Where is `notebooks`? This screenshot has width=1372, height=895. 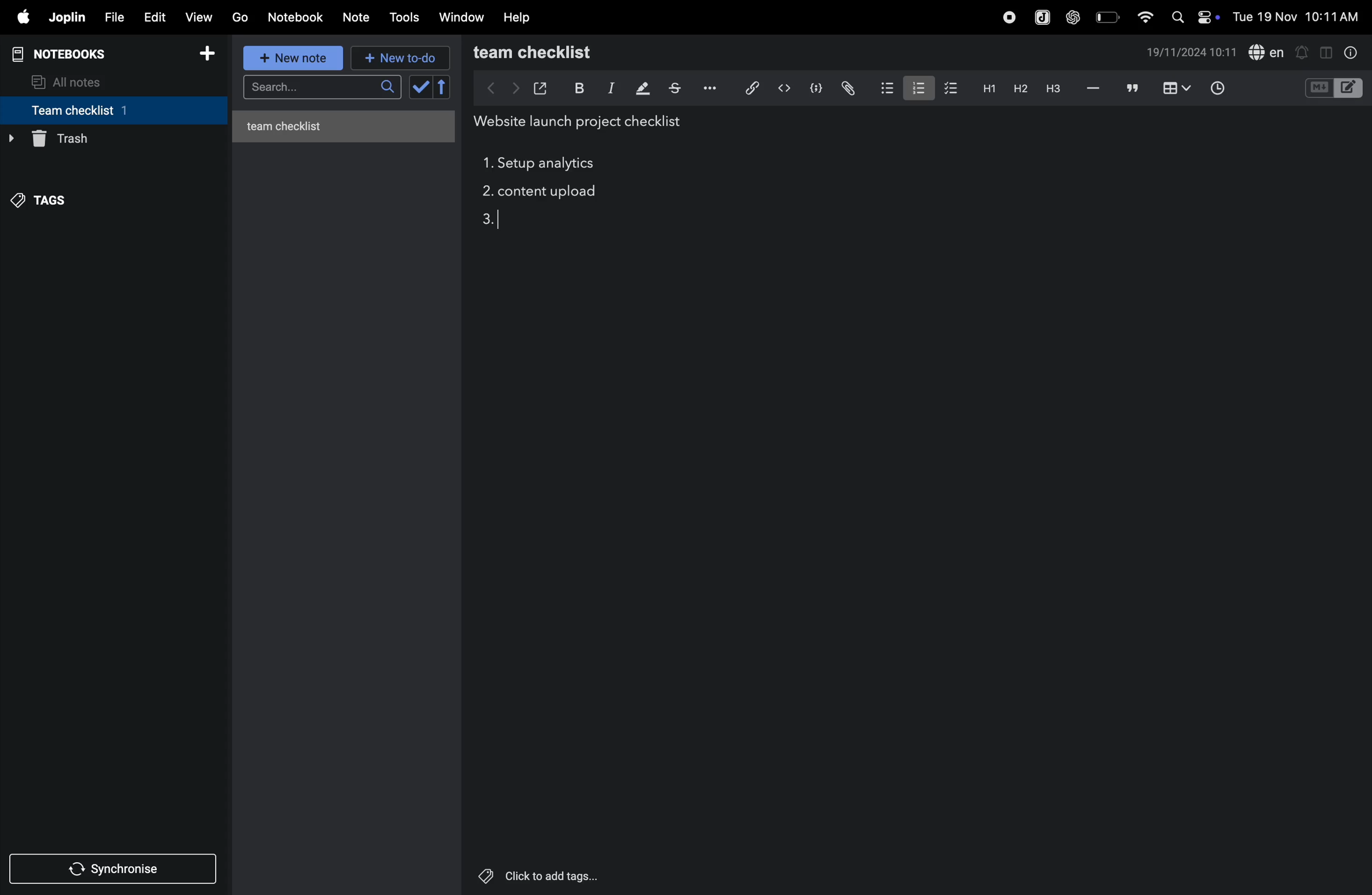 notebooks is located at coordinates (66, 52).